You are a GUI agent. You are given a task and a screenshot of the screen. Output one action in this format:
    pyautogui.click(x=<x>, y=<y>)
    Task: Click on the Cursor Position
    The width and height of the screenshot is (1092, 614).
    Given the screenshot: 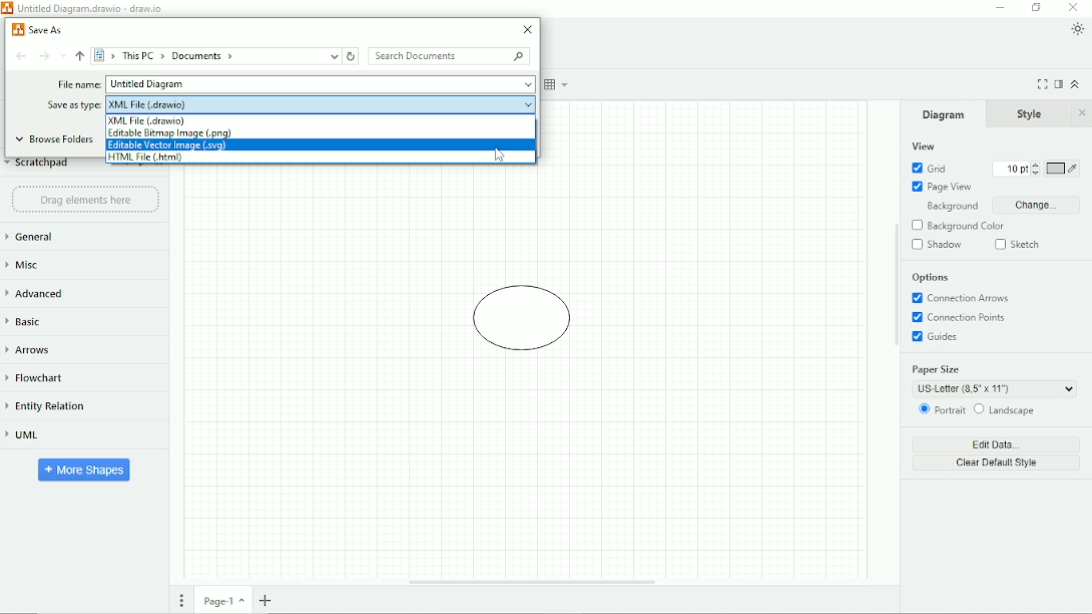 What is the action you would take?
    pyautogui.click(x=498, y=155)
    